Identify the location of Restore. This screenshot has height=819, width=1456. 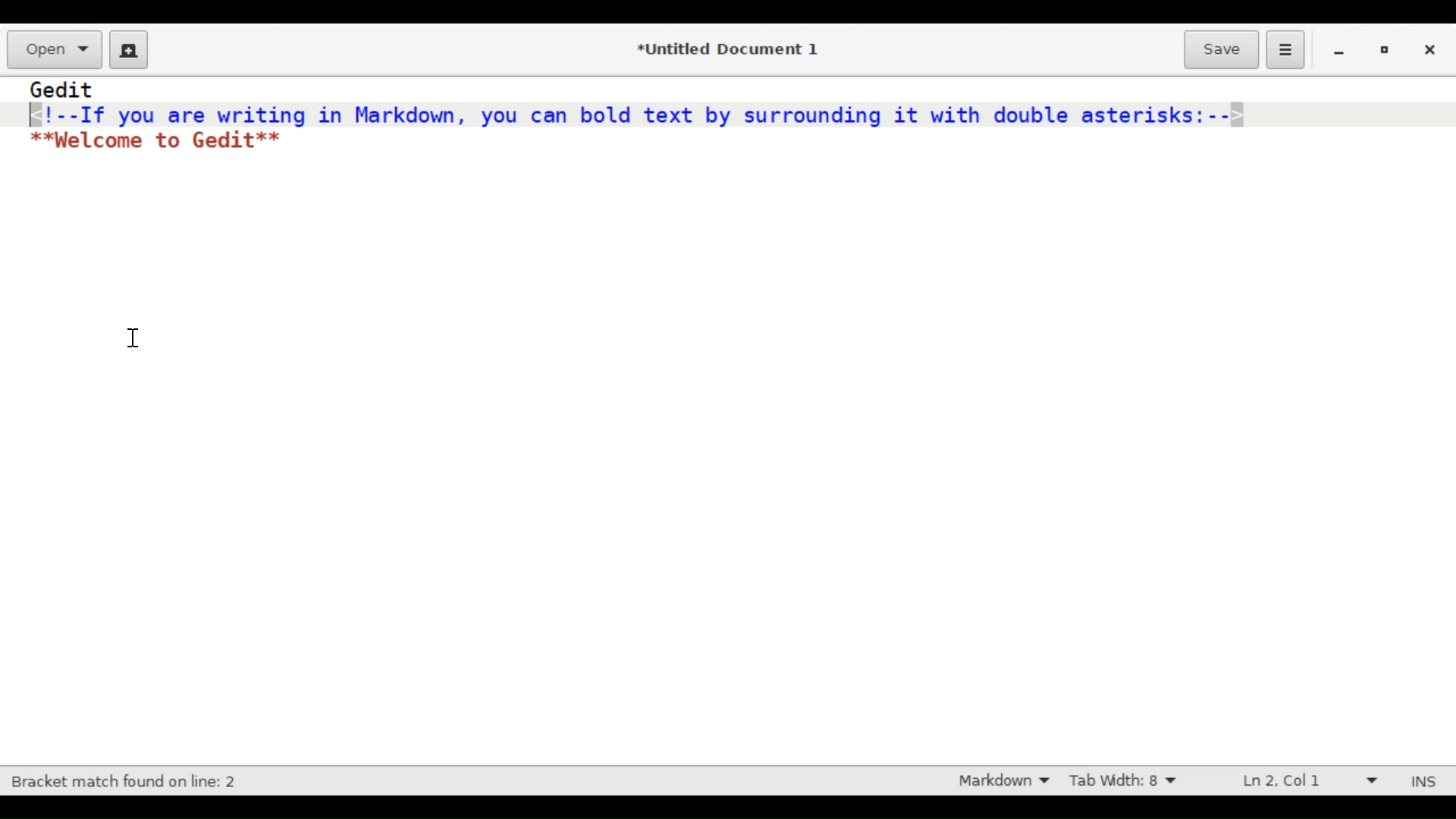
(1384, 51).